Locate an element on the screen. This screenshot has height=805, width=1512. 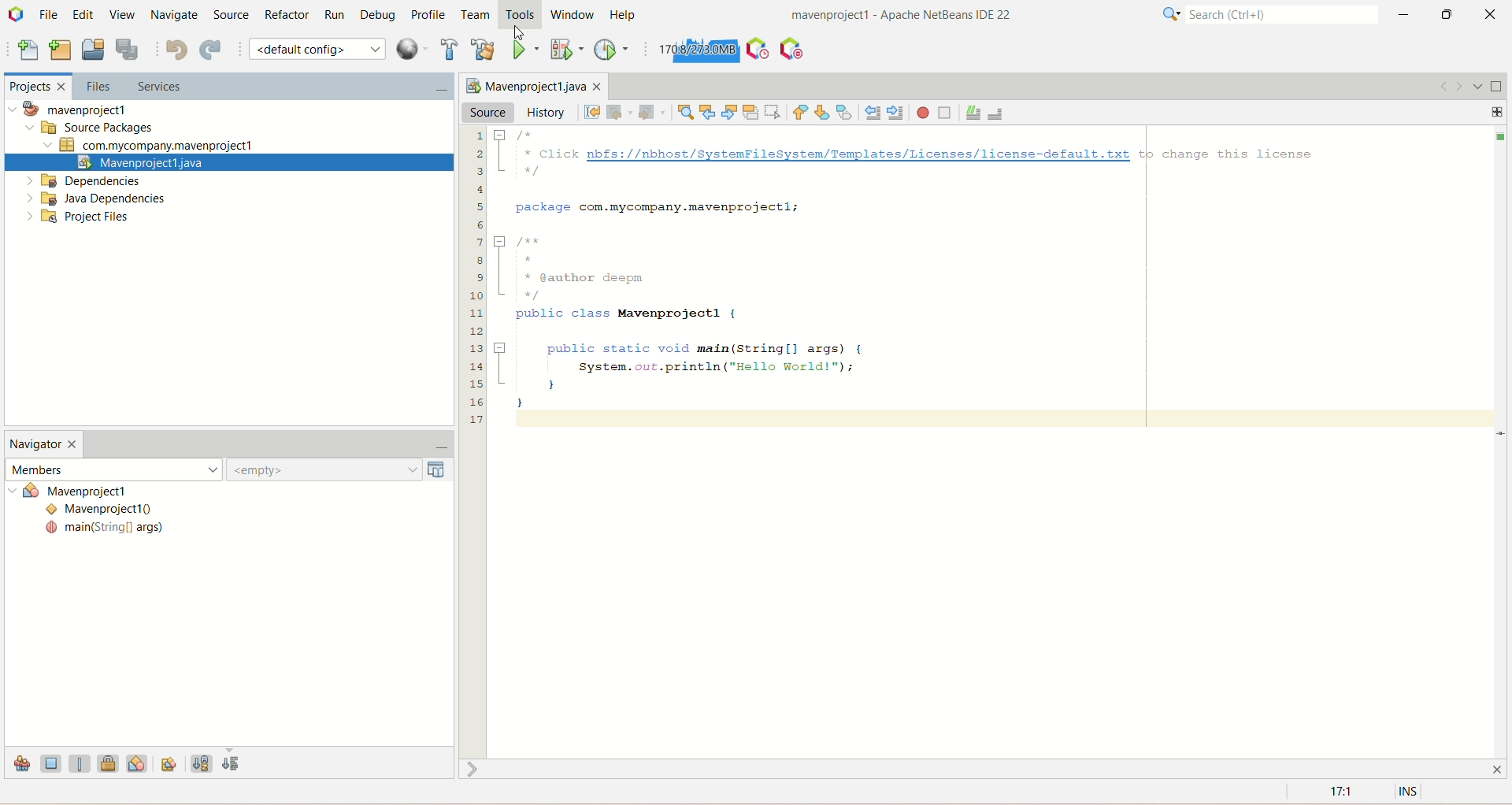
files is located at coordinates (98, 86).